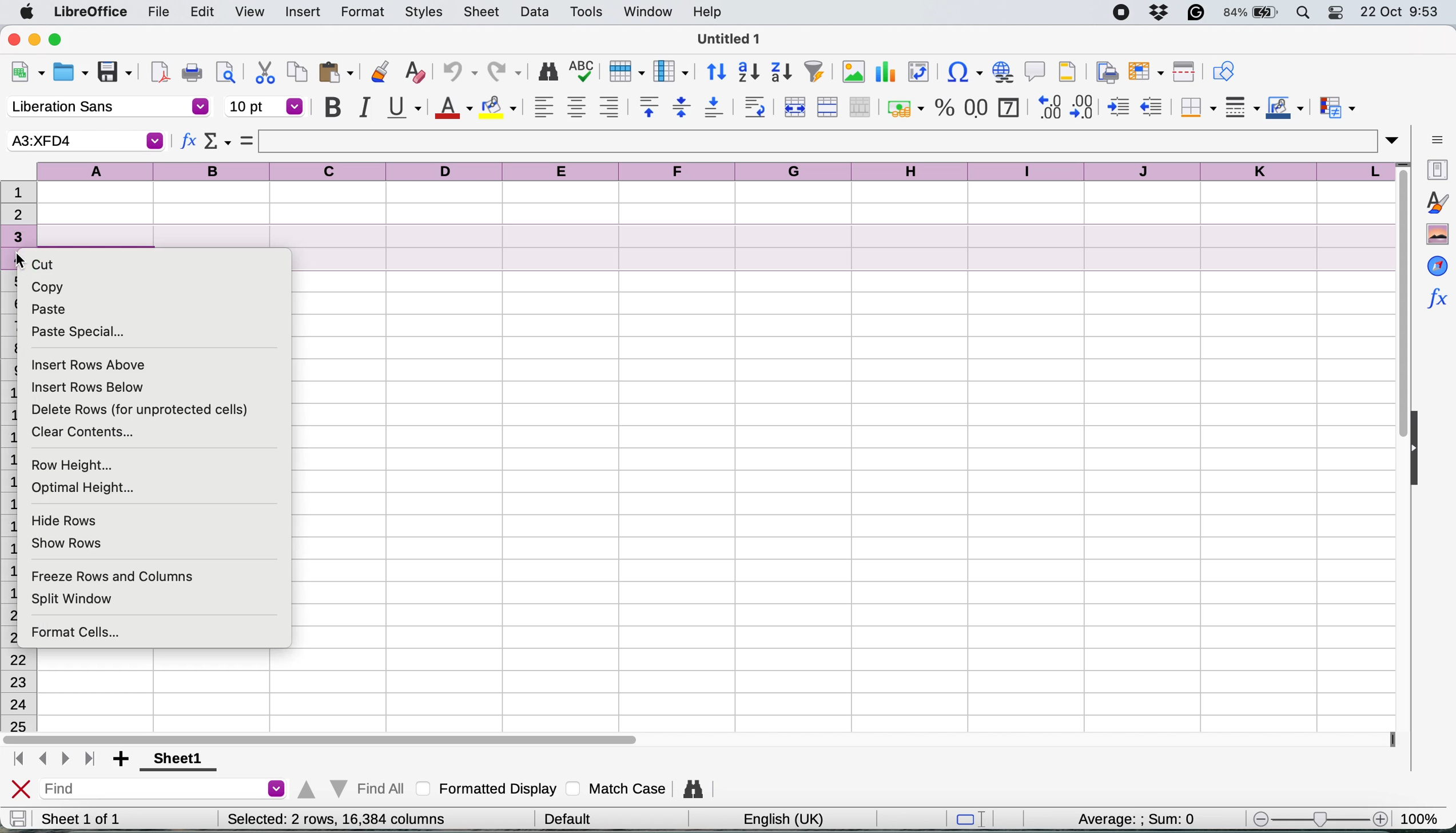 The image size is (1456, 833). Describe the element at coordinates (904, 108) in the screenshot. I see `format as currency` at that location.